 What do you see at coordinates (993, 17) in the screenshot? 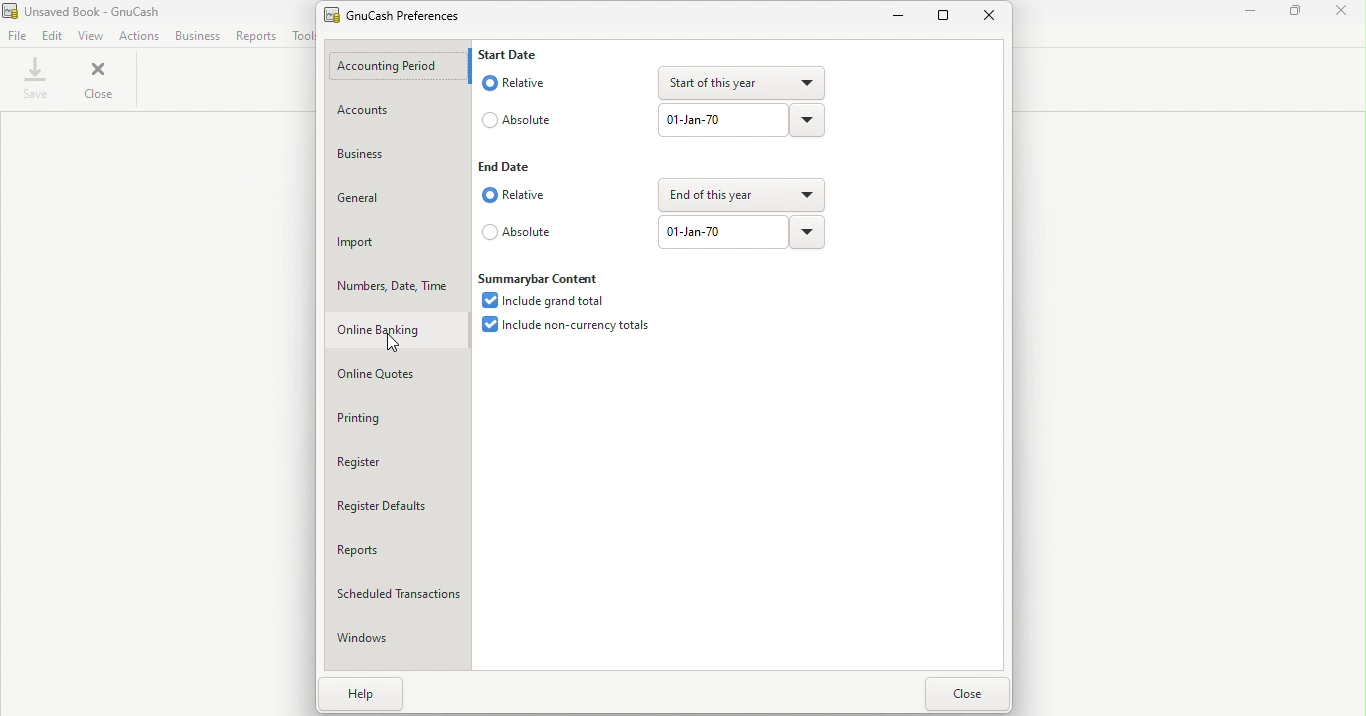
I see `Close` at bounding box center [993, 17].